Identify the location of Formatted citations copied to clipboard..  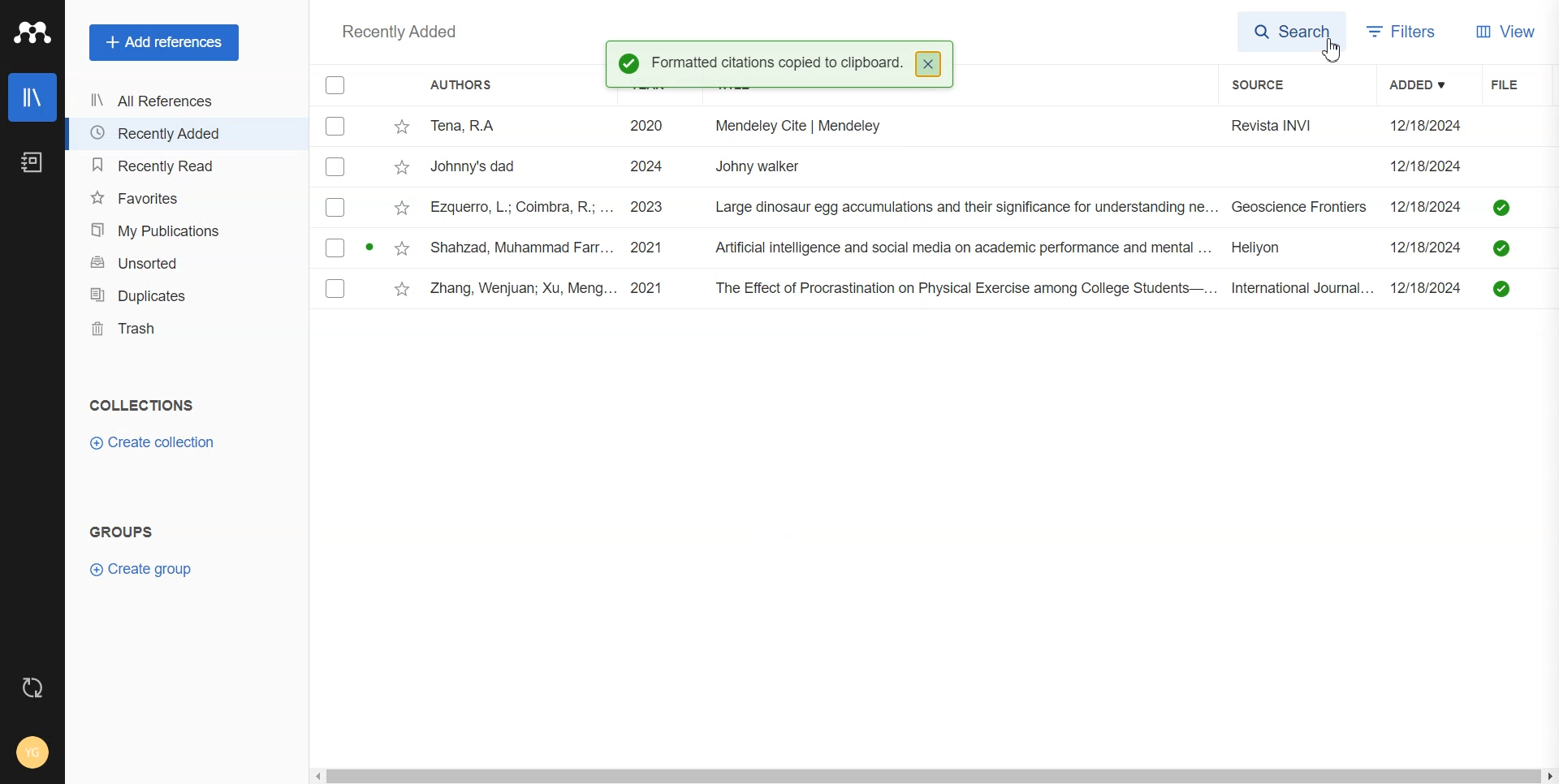
(779, 63).